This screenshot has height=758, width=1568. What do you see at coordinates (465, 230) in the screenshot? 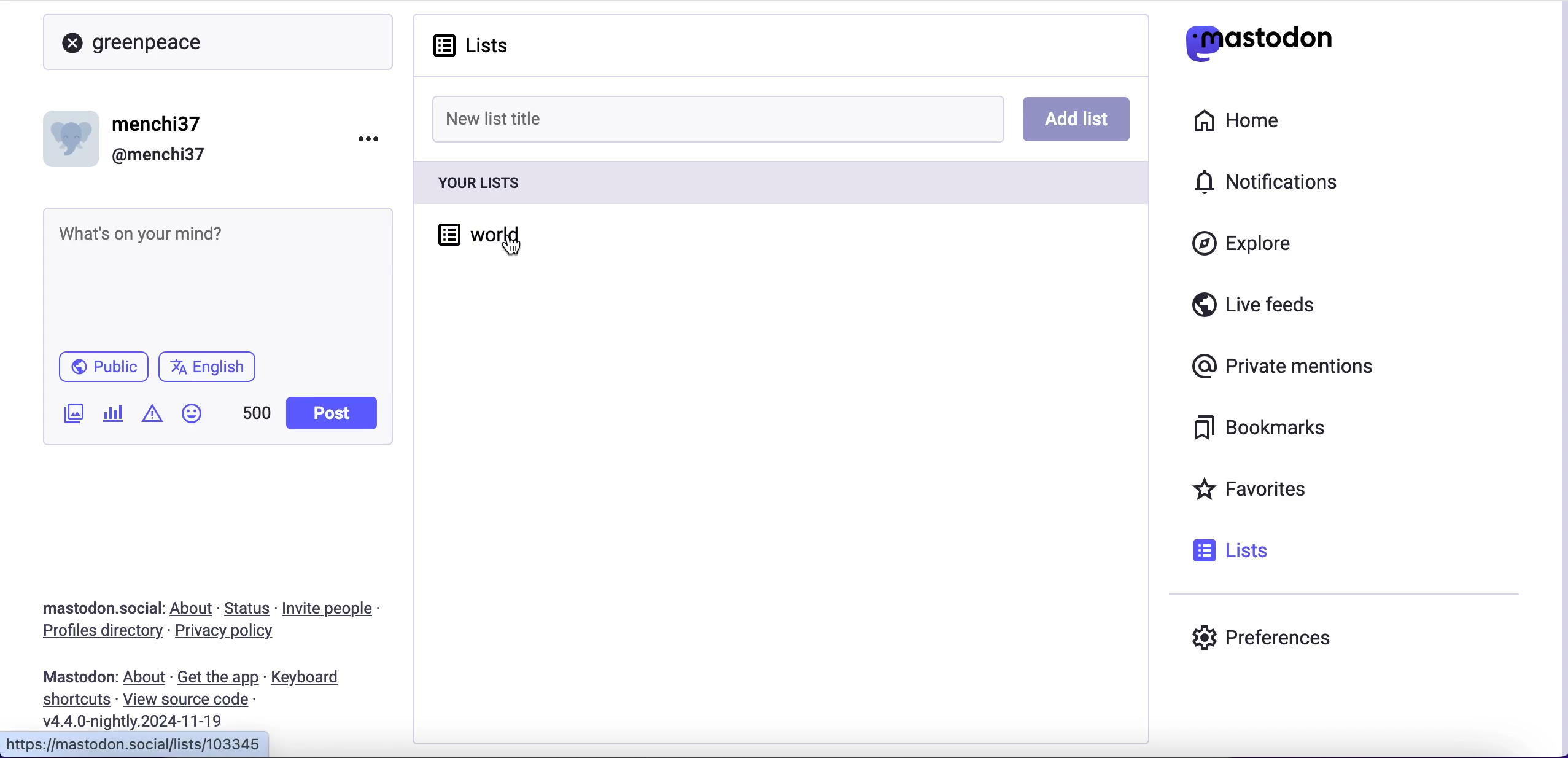
I see `world` at bounding box center [465, 230].